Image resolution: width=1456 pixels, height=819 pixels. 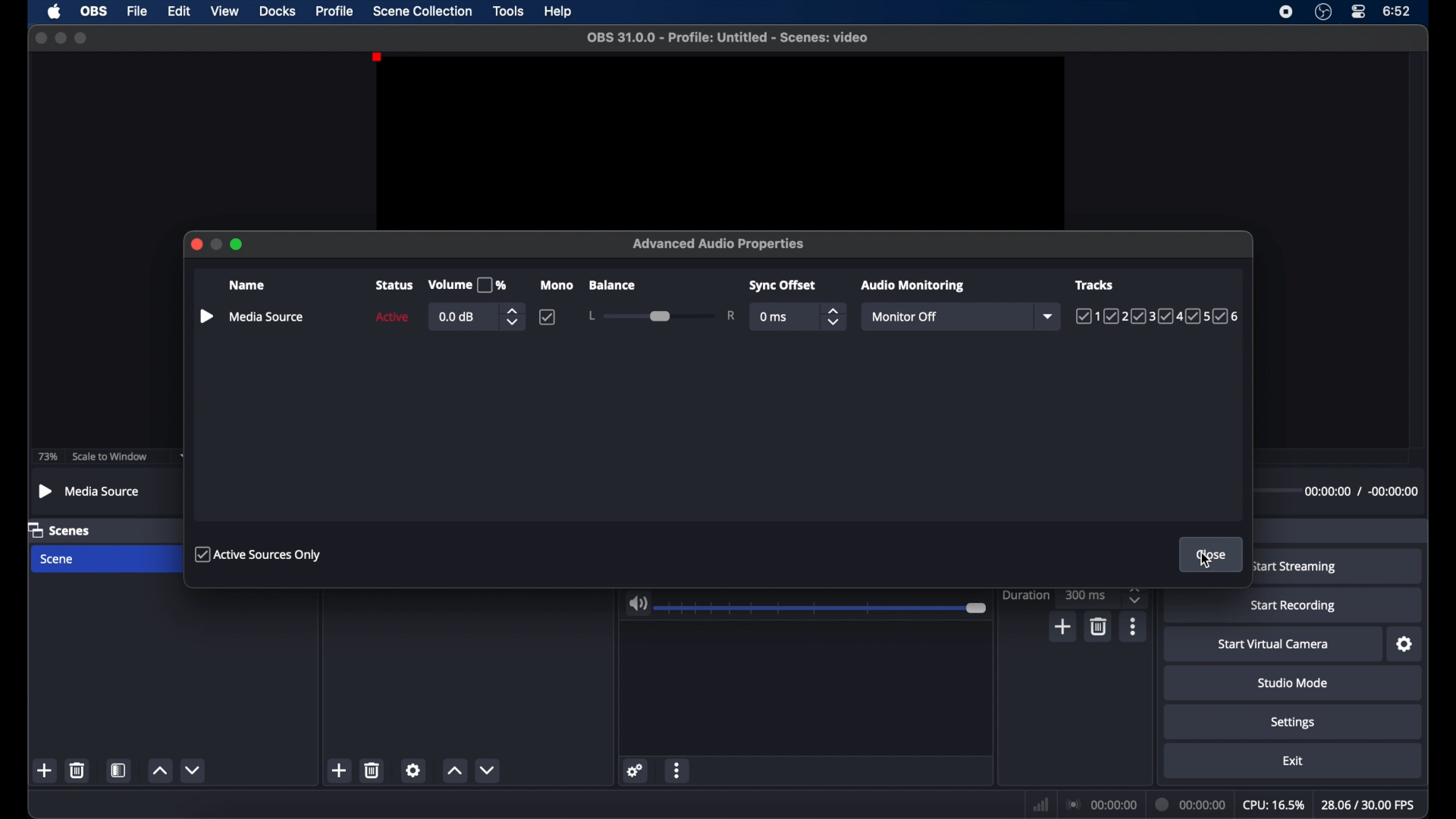 What do you see at coordinates (338, 770) in the screenshot?
I see `add` at bounding box center [338, 770].